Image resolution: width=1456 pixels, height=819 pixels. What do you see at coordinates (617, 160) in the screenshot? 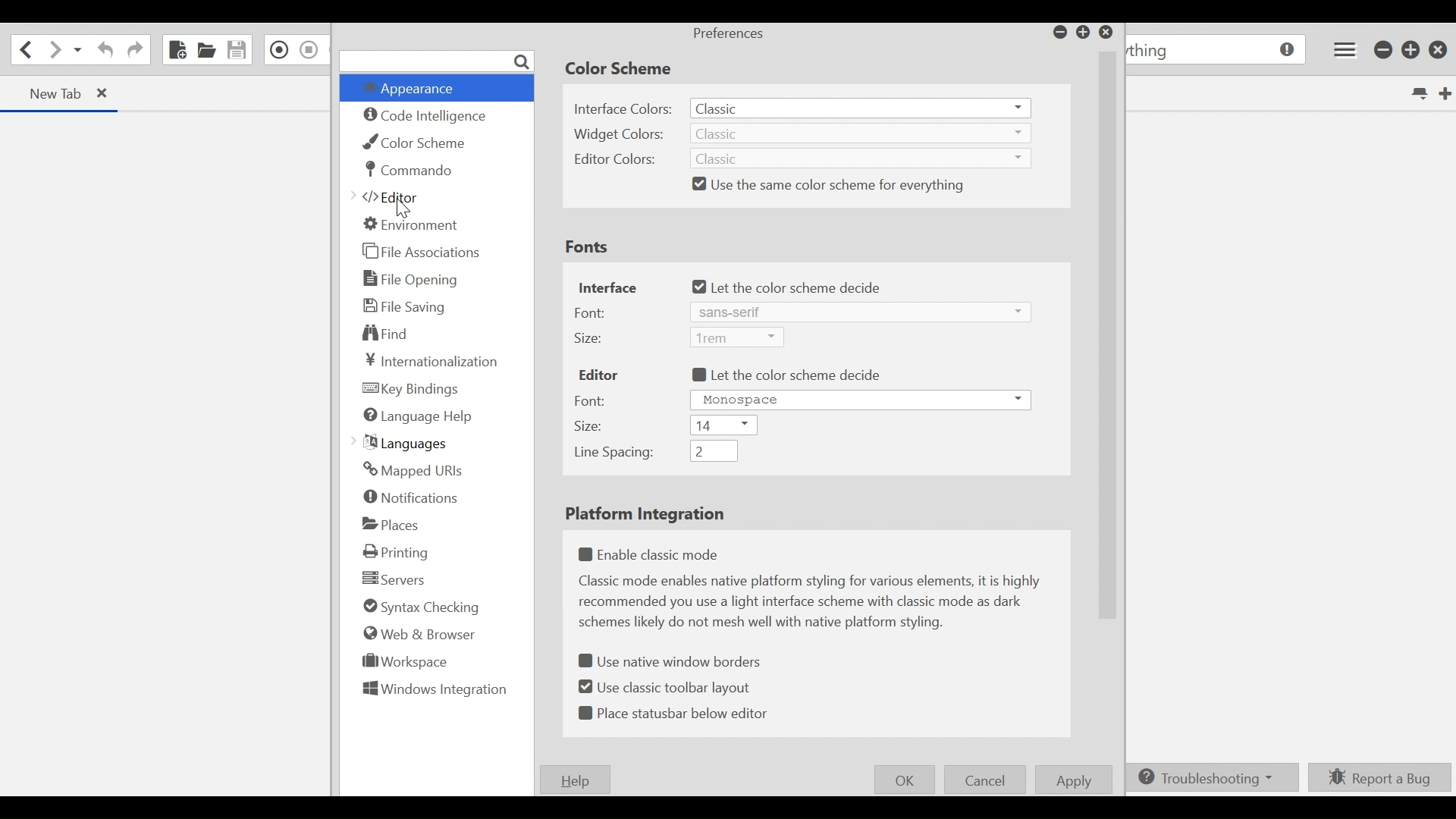
I see `Editor Colors` at bounding box center [617, 160].